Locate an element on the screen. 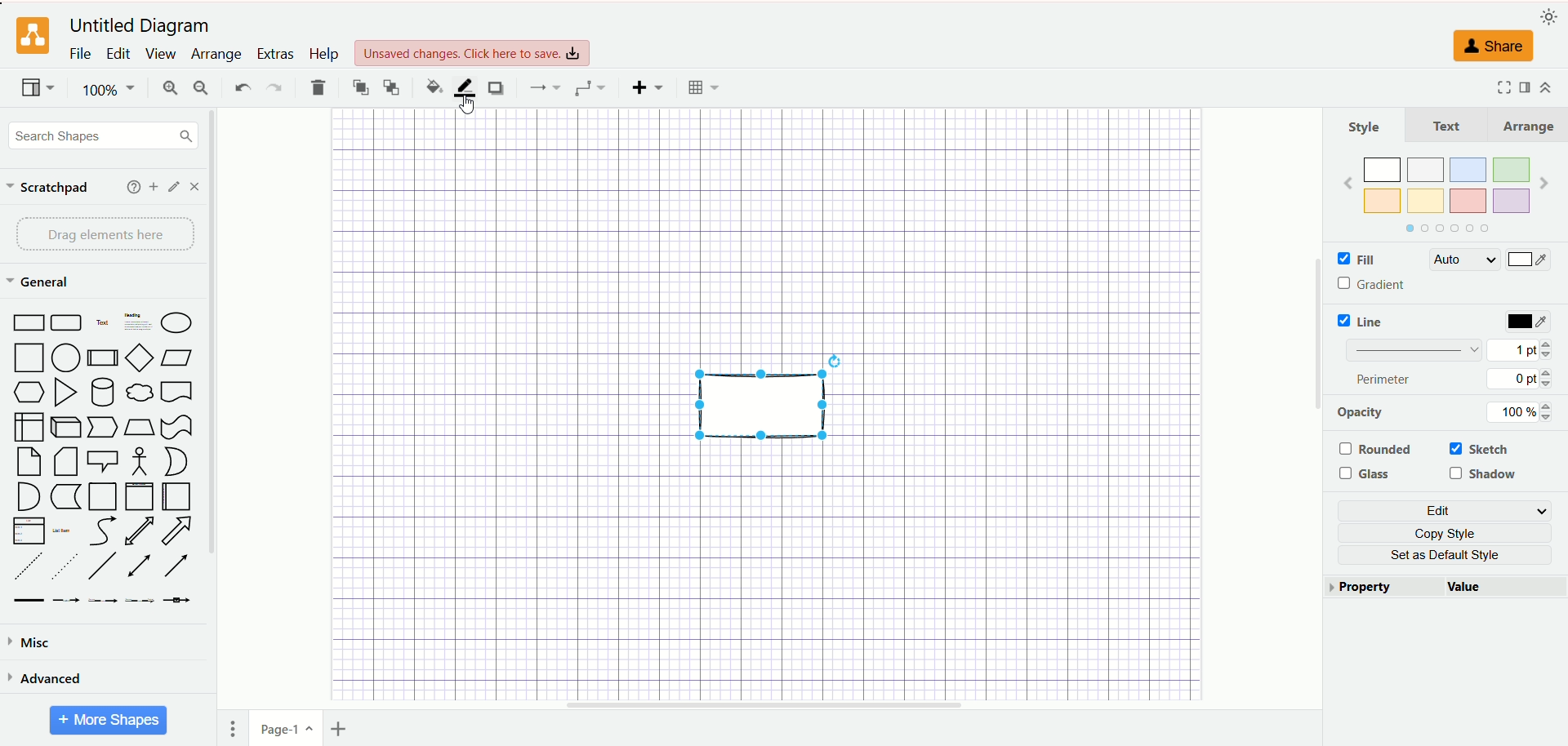 The height and width of the screenshot is (746, 1568). copy style is located at coordinates (1444, 532).